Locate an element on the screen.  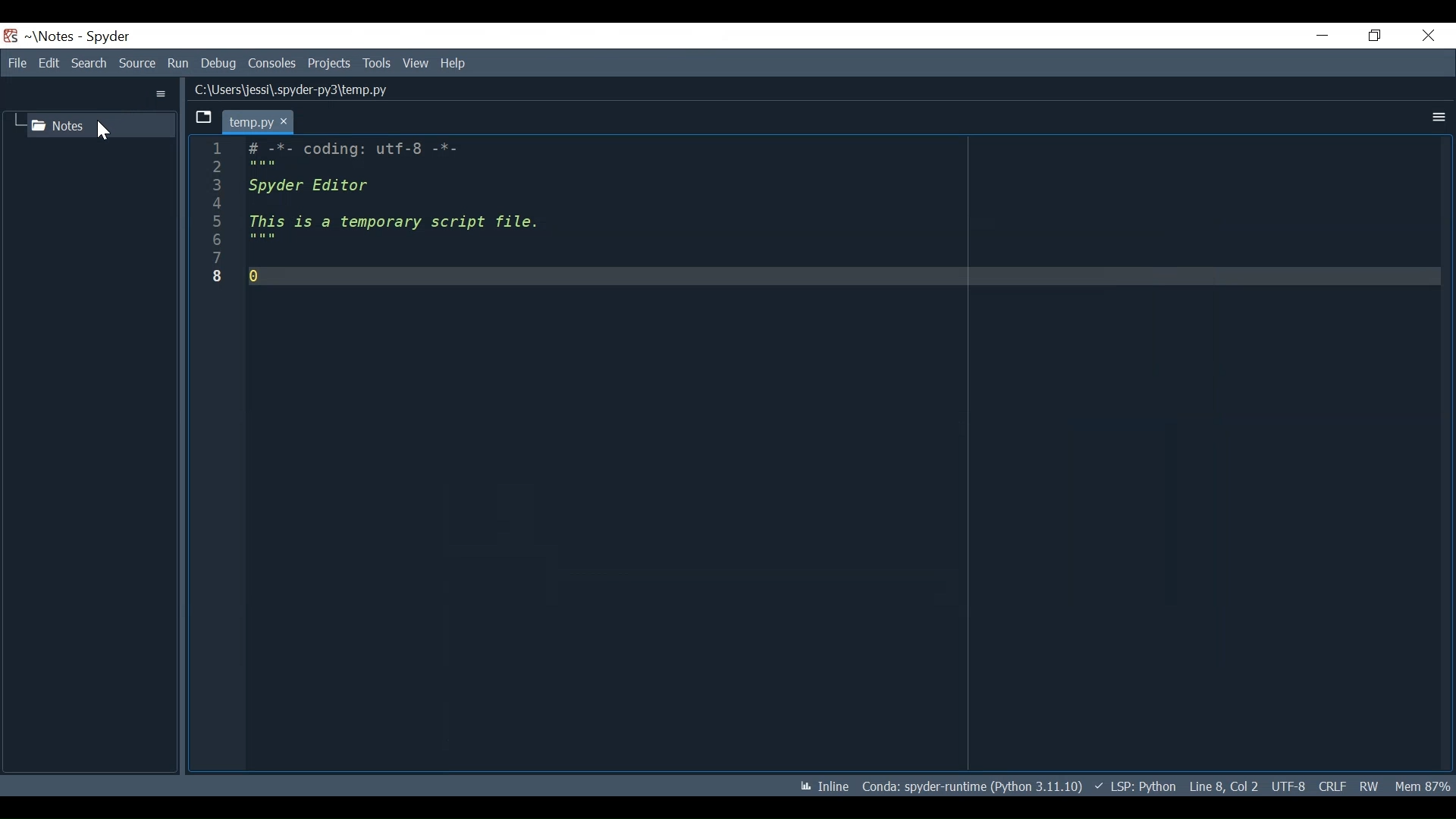
Cursor is located at coordinates (103, 129).